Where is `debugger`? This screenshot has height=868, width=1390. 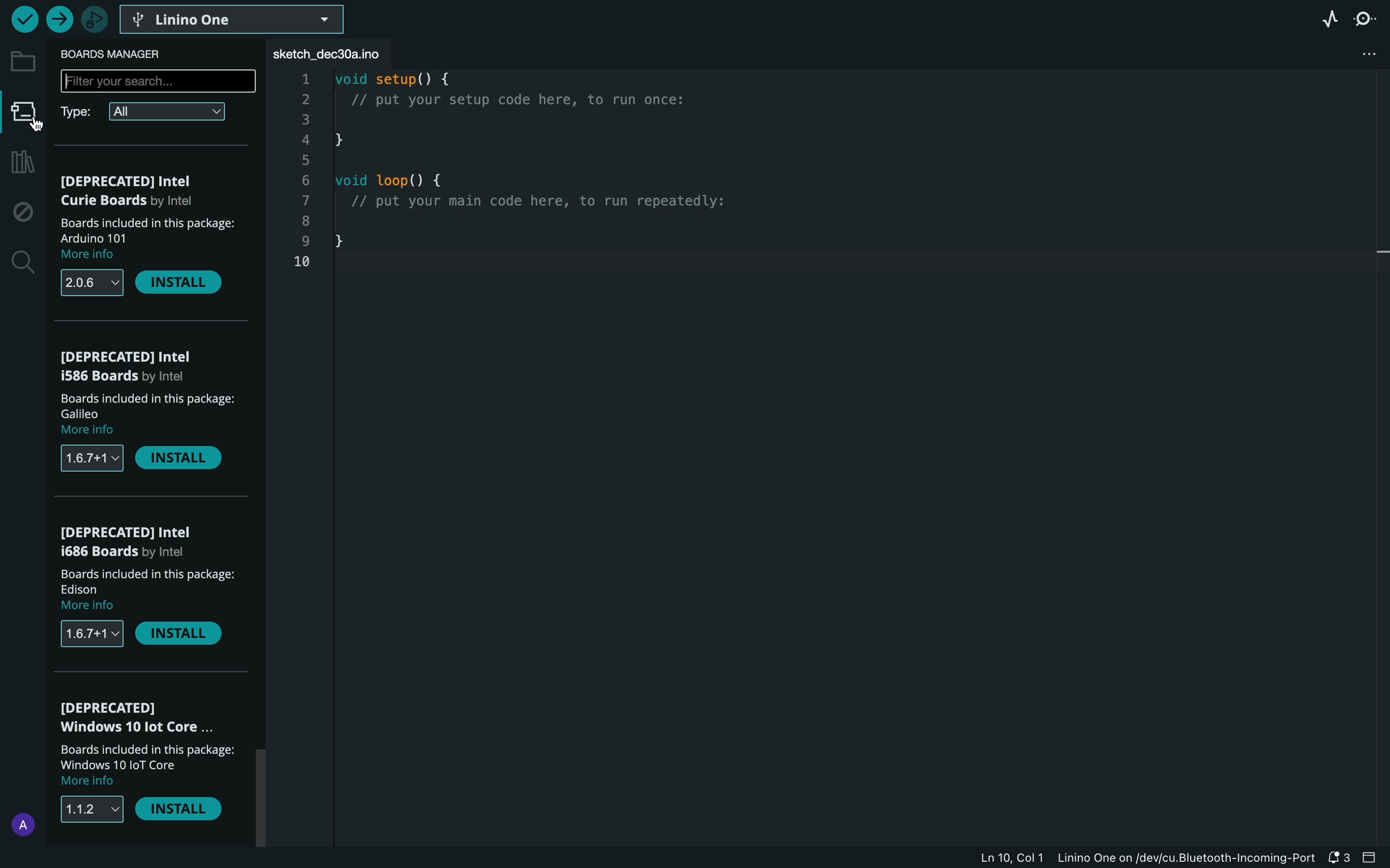 debugger is located at coordinates (91, 18).